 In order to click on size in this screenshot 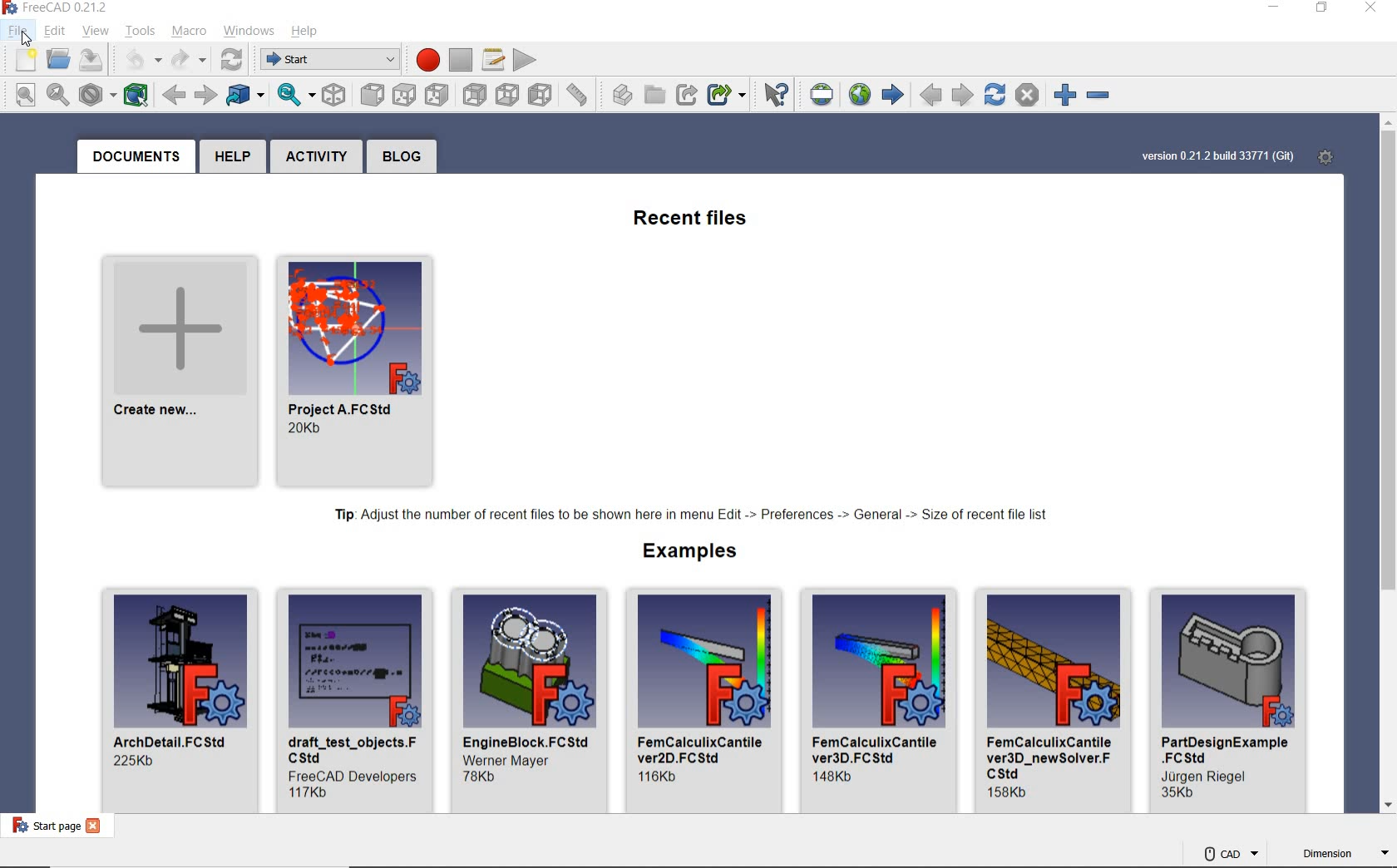, I will do `click(1010, 793)`.